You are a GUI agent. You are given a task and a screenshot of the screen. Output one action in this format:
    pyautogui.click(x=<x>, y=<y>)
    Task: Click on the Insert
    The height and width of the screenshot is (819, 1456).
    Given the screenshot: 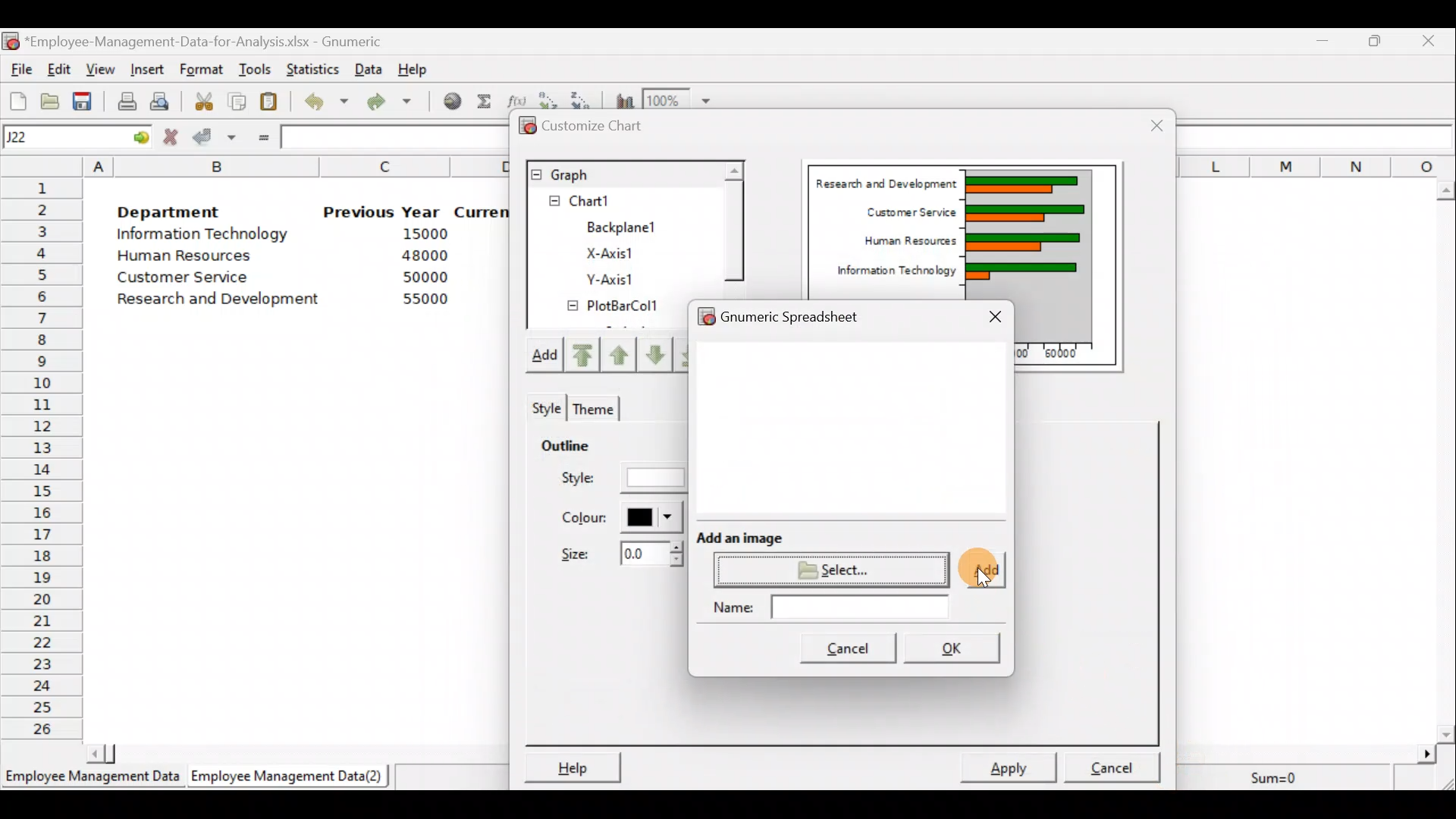 What is the action you would take?
    pyautogui.click(x=150, y=67)
    